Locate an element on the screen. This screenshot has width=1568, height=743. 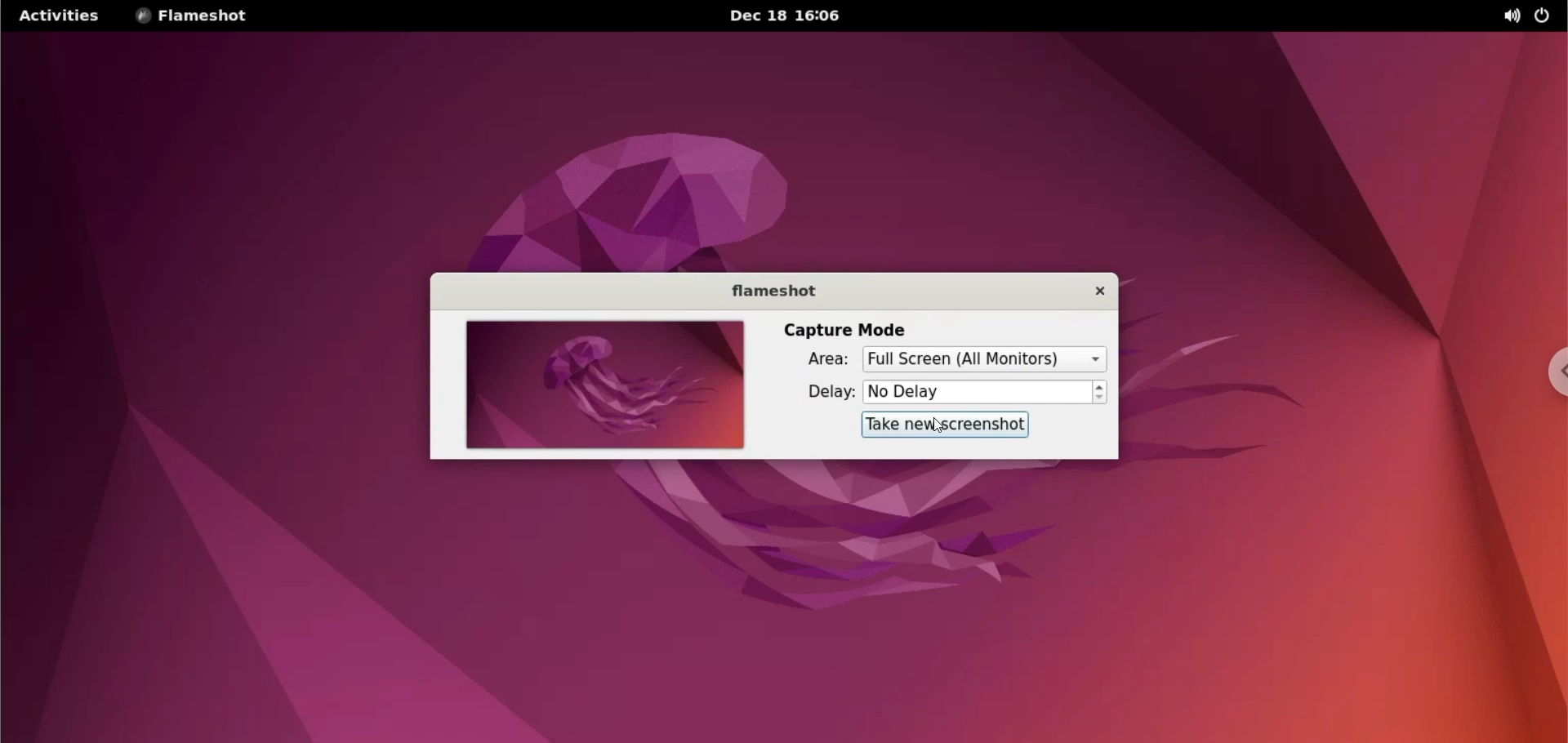
close is located at coordinates (1095, 292).